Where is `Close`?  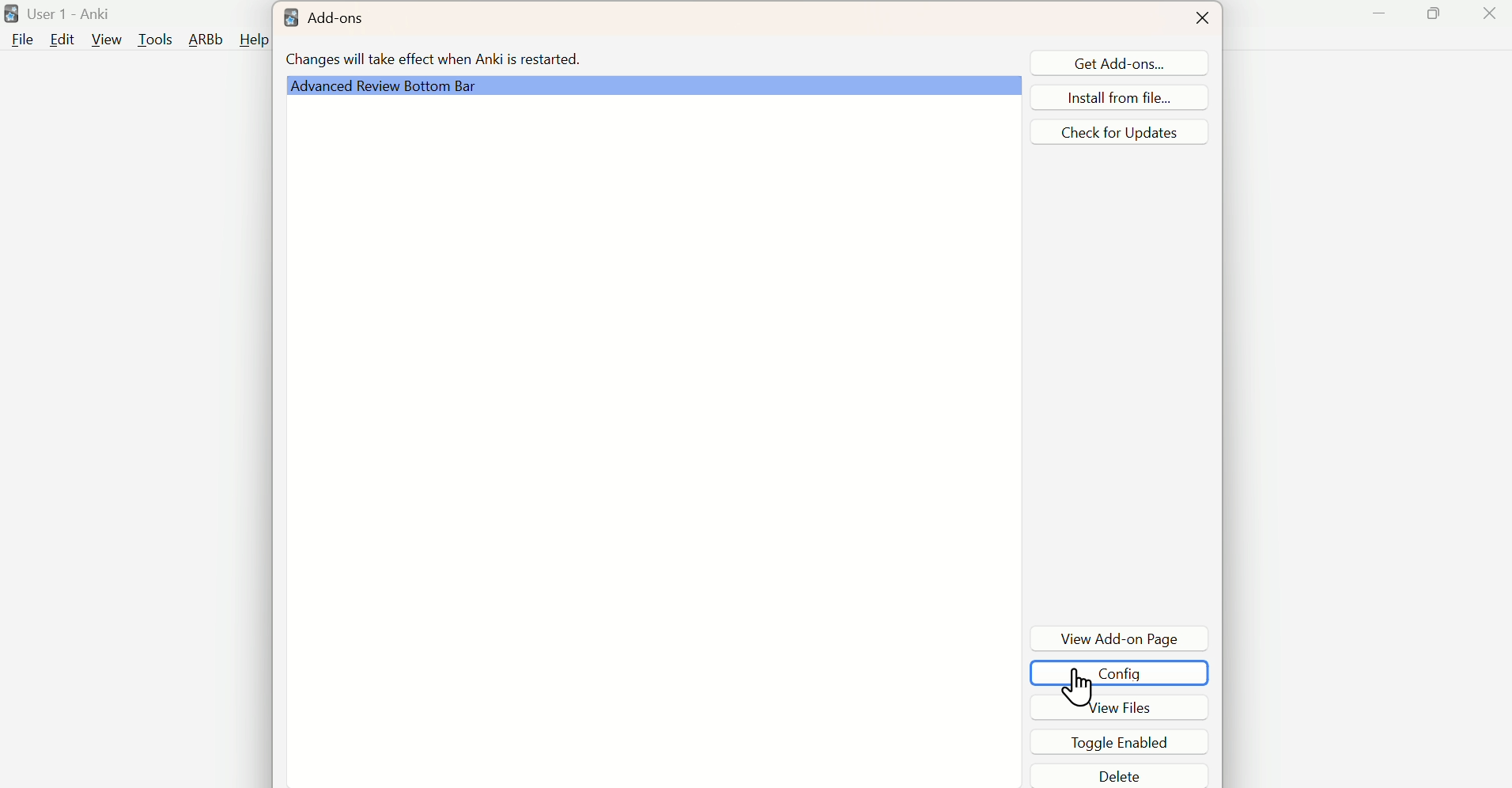
Close is located at coordinates (1495, 13).